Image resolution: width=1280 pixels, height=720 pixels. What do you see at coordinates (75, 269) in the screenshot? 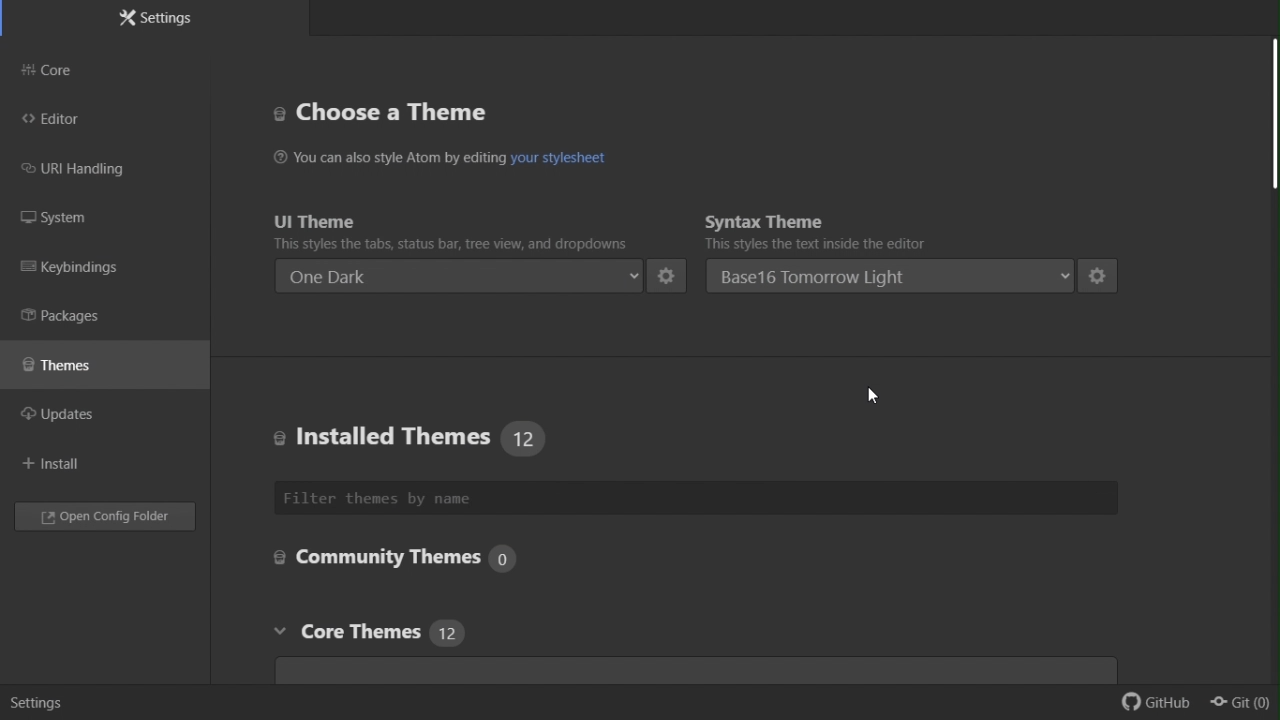
I see `Key binding` at bounding box center [75, 269].